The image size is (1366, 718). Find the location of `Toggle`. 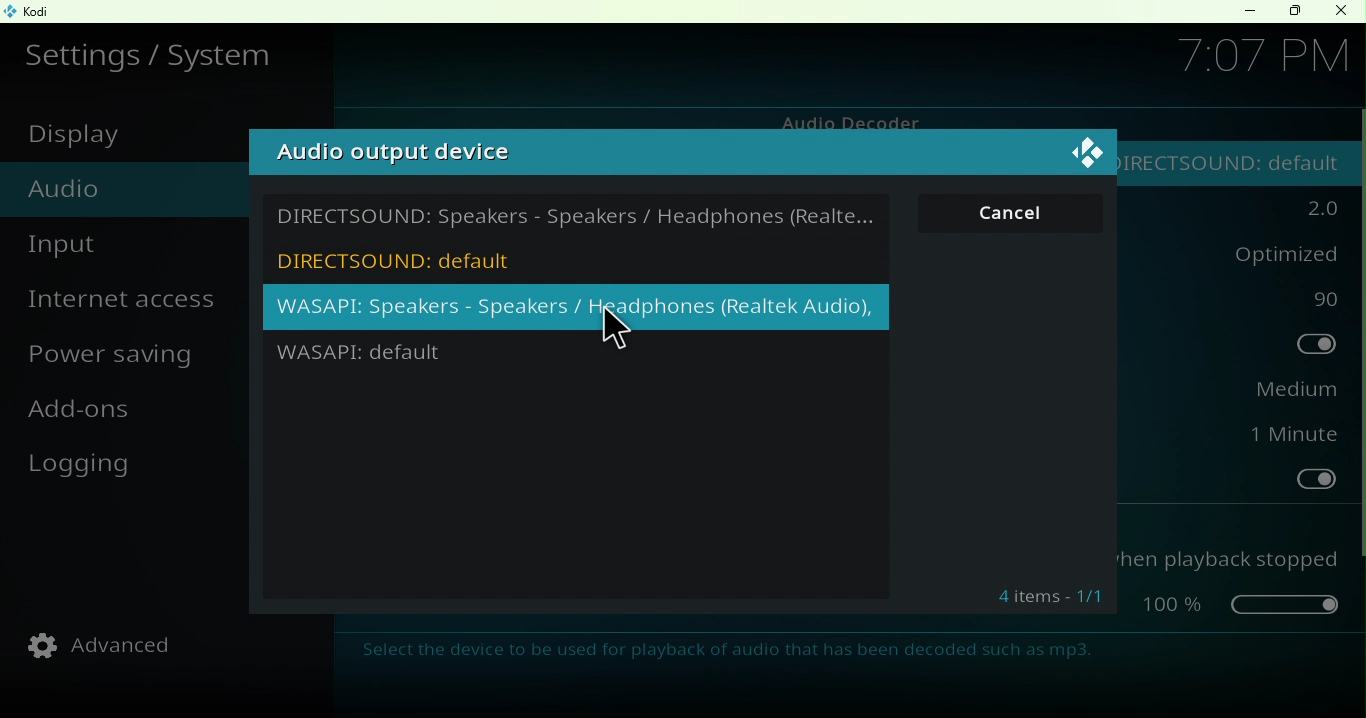

Toggle is located at coordinates (1243, 605).